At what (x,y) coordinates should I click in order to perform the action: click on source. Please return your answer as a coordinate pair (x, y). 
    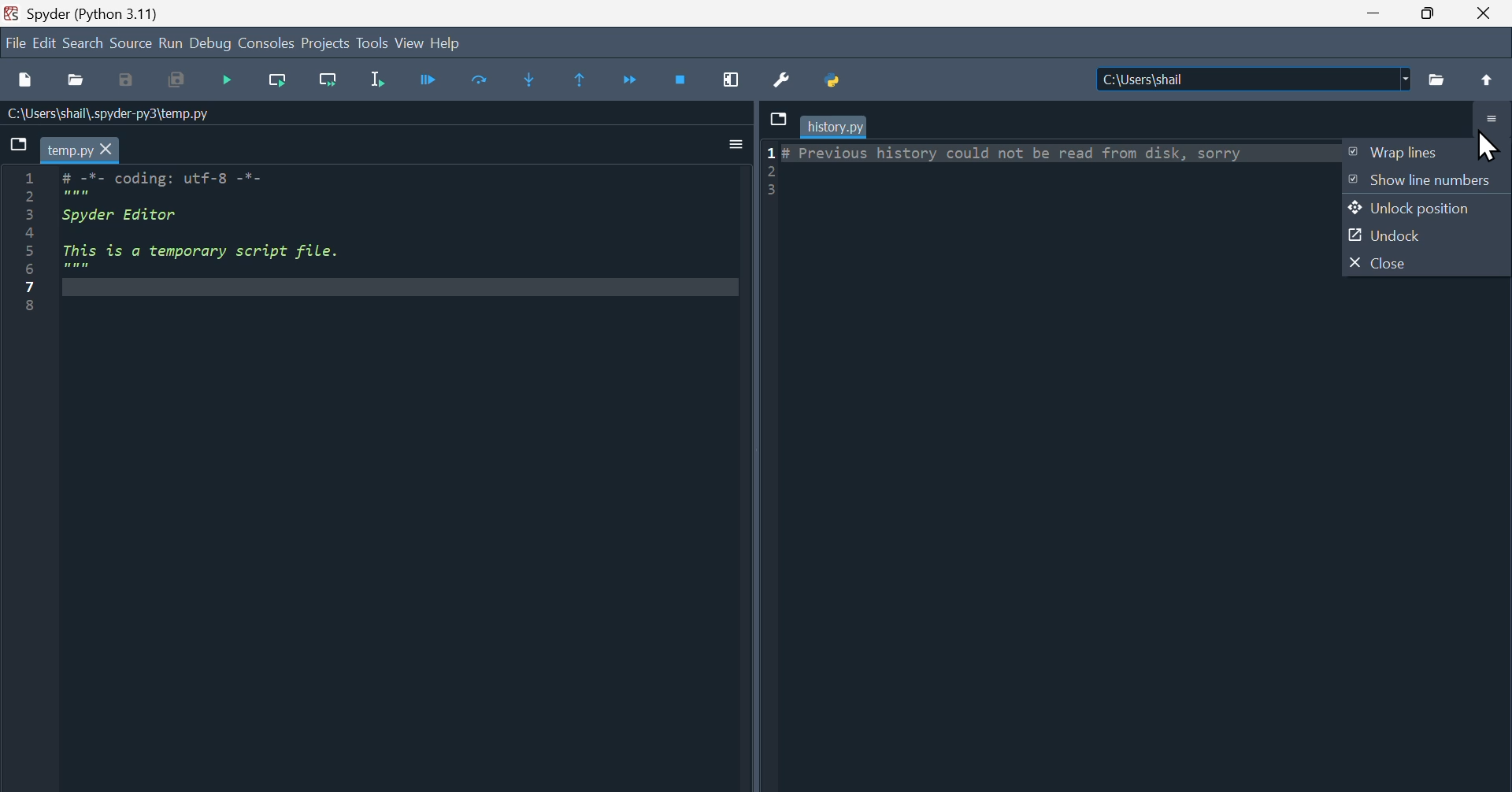
    Looking at the image, I should click on (131, 43).